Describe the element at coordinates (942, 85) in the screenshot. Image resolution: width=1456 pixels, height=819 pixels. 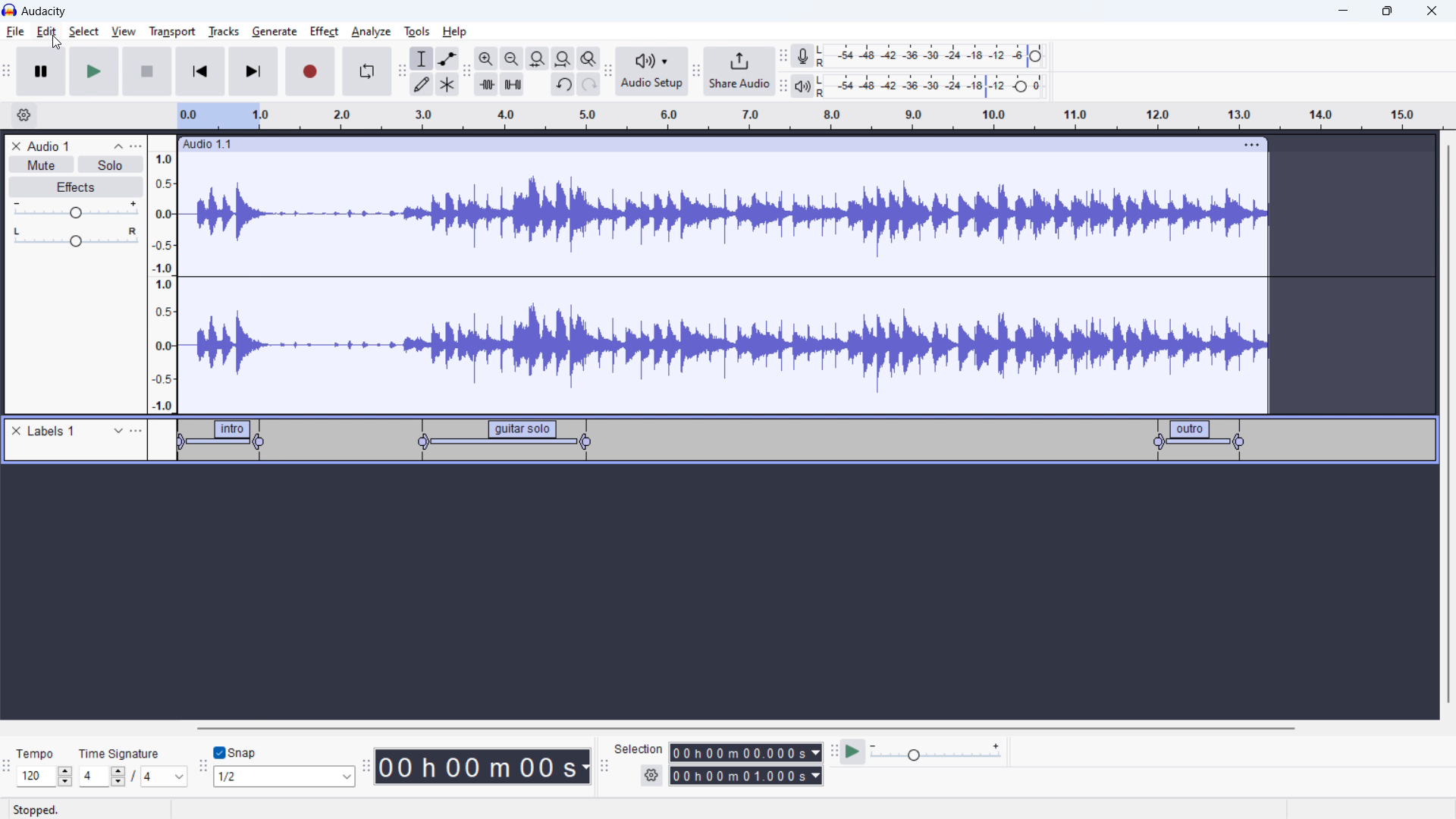
I see `playback level` at that location.